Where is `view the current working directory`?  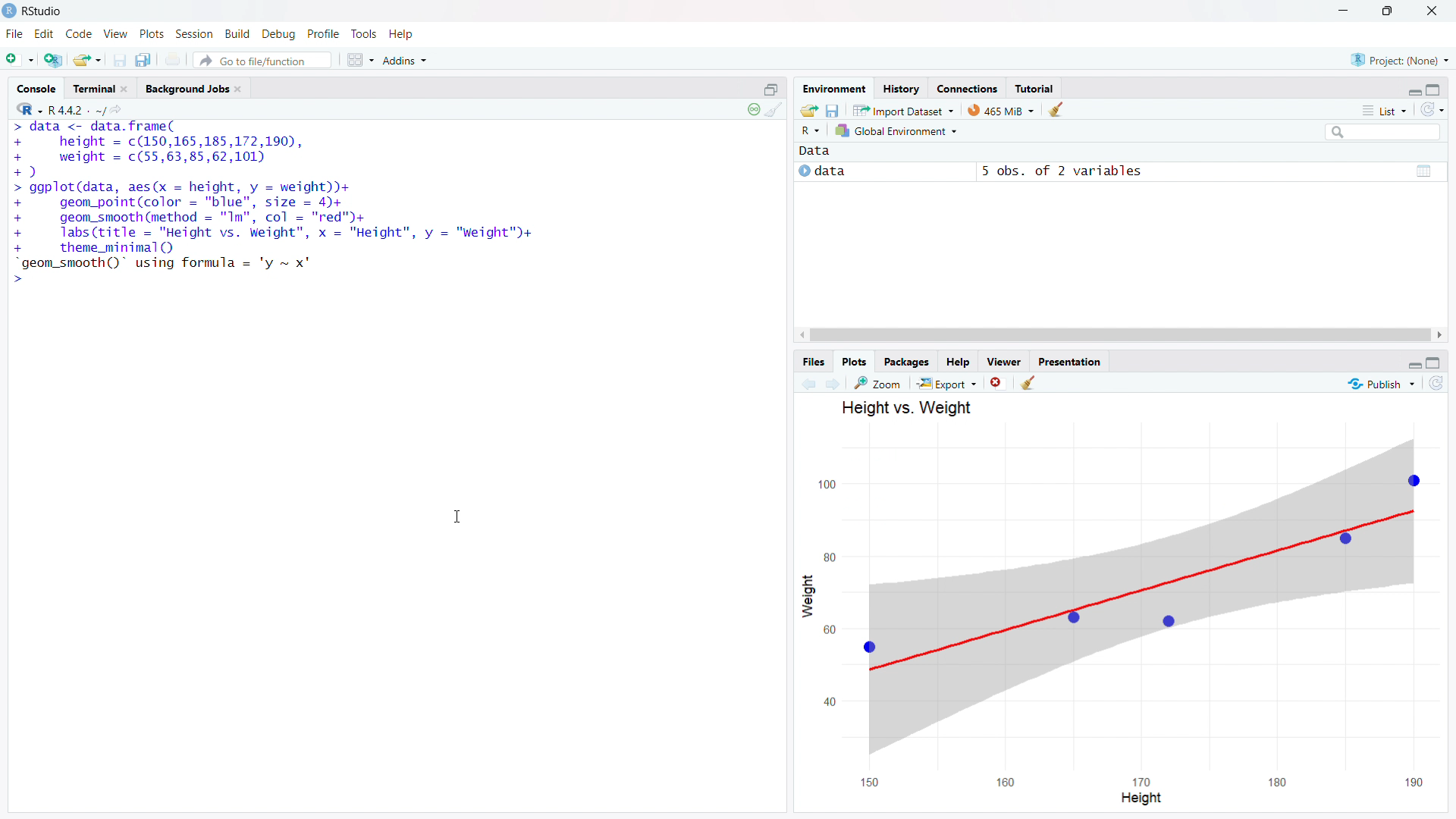 view the current working directory is located at coordinates (119, 108).